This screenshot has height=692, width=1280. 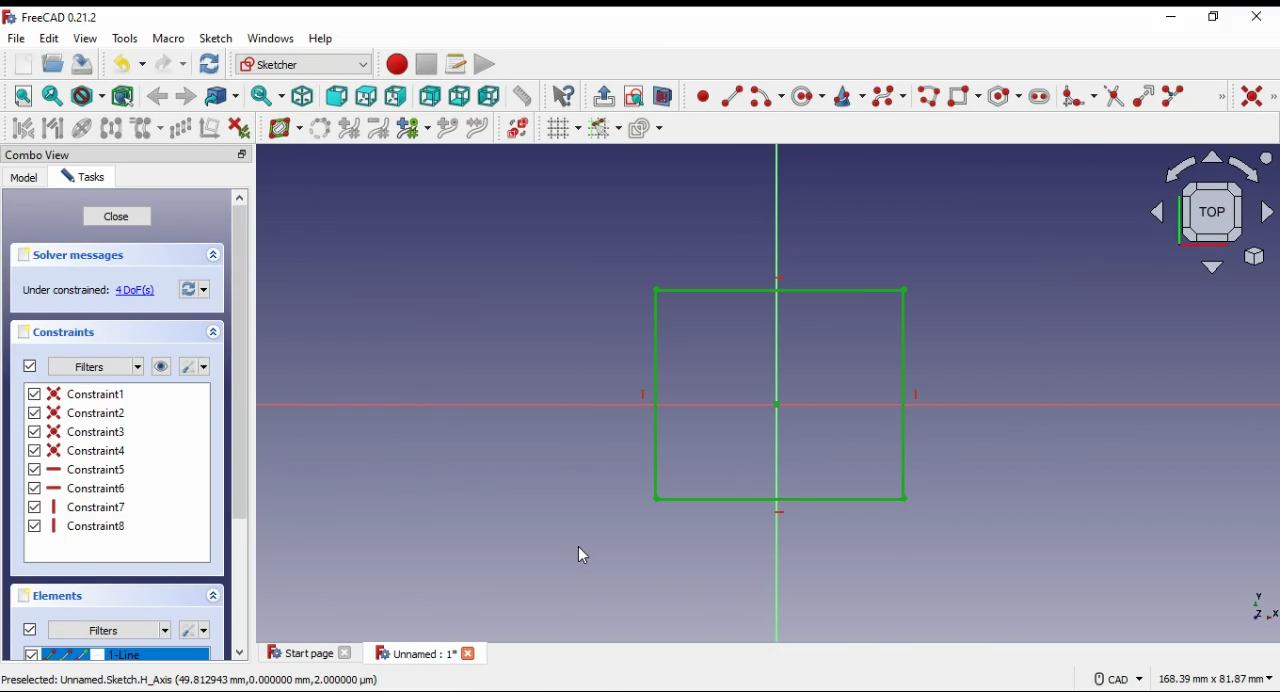 I want to click on right, so click(x=395, y=96).